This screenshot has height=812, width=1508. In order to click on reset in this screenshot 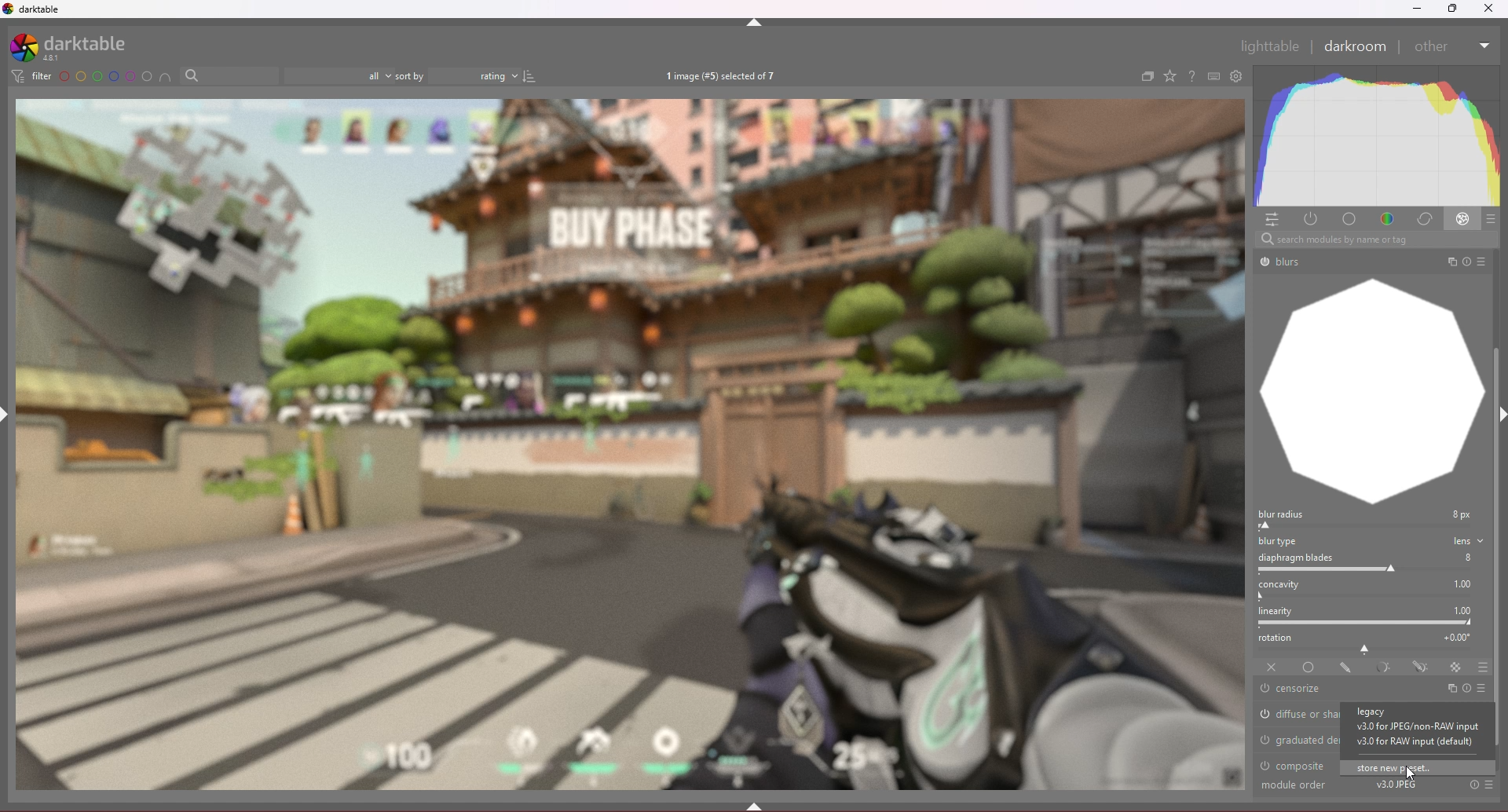, I will do `click(1468, 688)`.